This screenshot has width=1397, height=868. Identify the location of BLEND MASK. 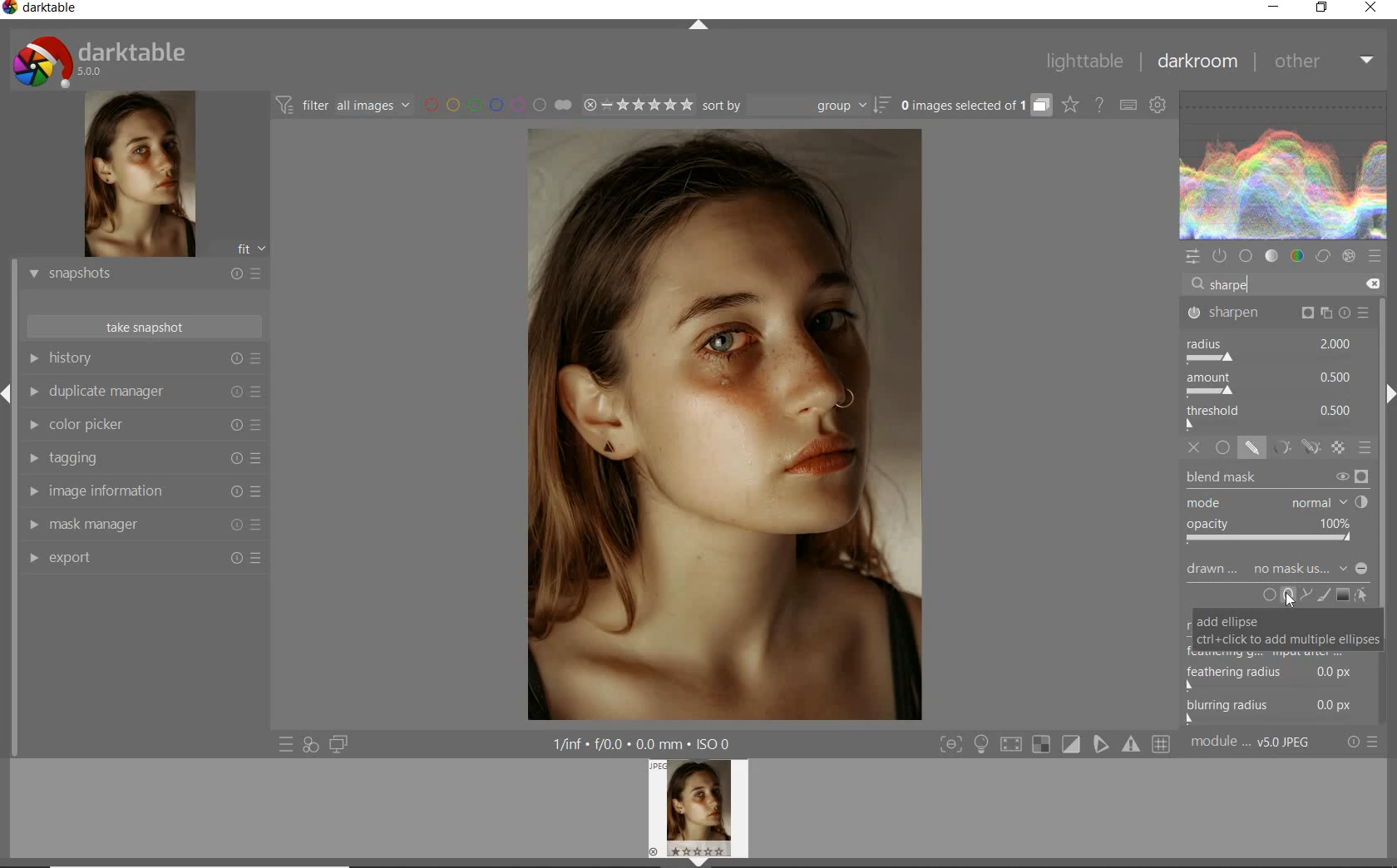
(1277, 479).